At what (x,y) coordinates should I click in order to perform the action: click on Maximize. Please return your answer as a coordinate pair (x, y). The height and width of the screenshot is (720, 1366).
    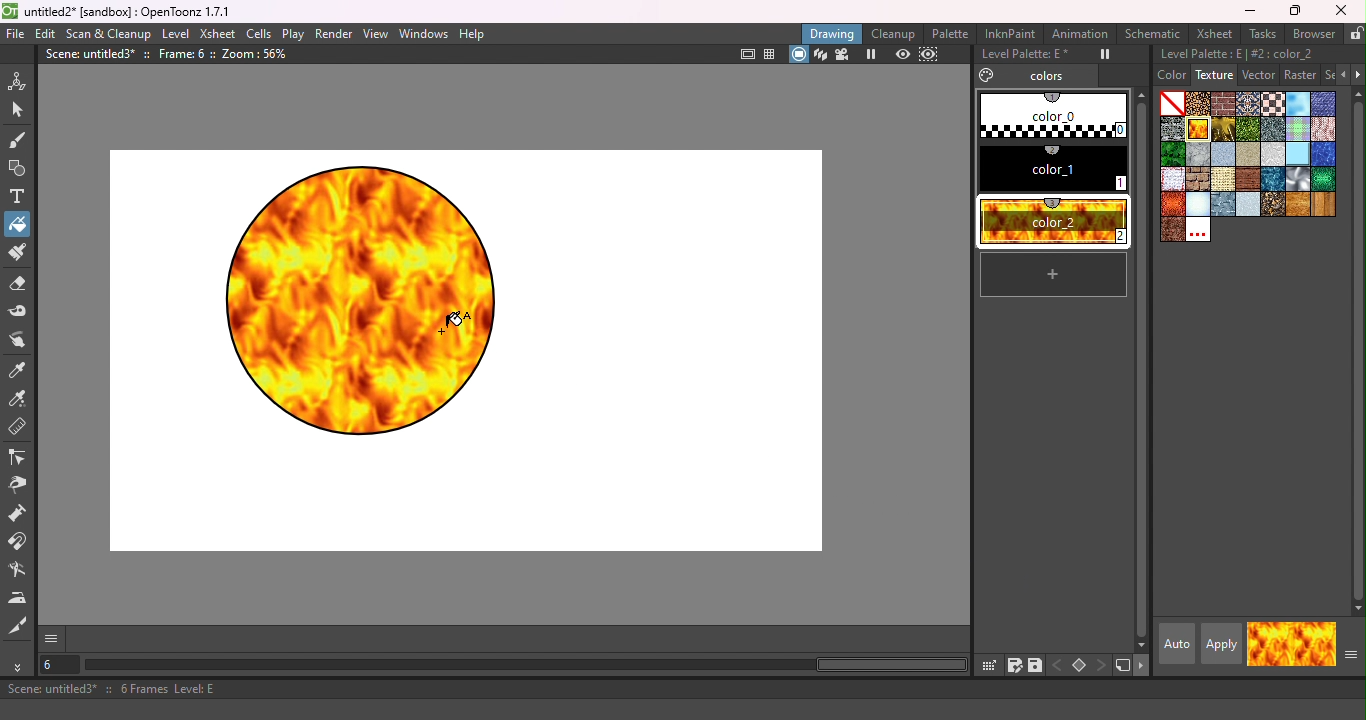
    Looking at the image, I should click on (1291, 11).